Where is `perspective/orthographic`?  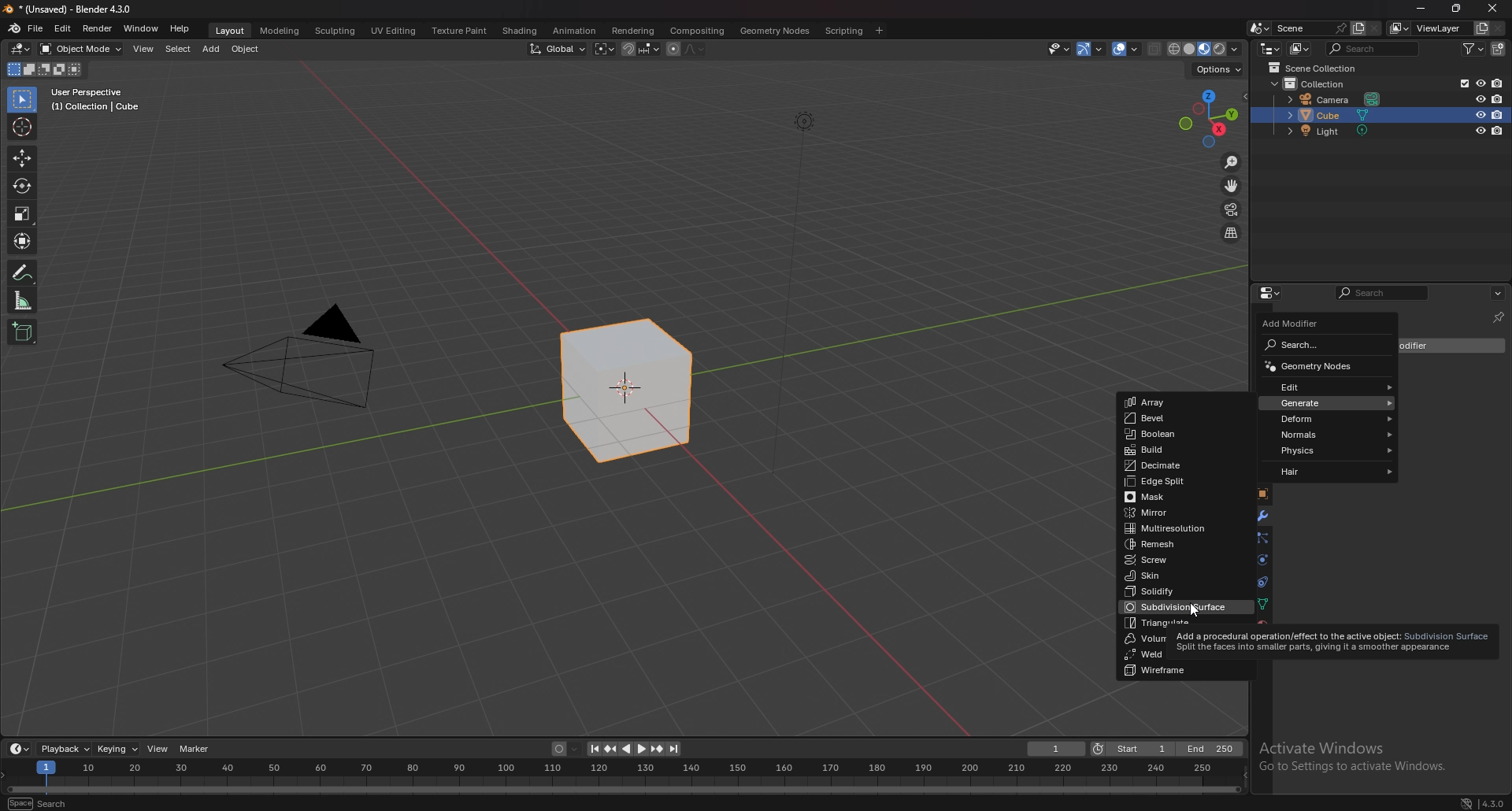
perspective/orthographic is located at coordinates (1231, 234).